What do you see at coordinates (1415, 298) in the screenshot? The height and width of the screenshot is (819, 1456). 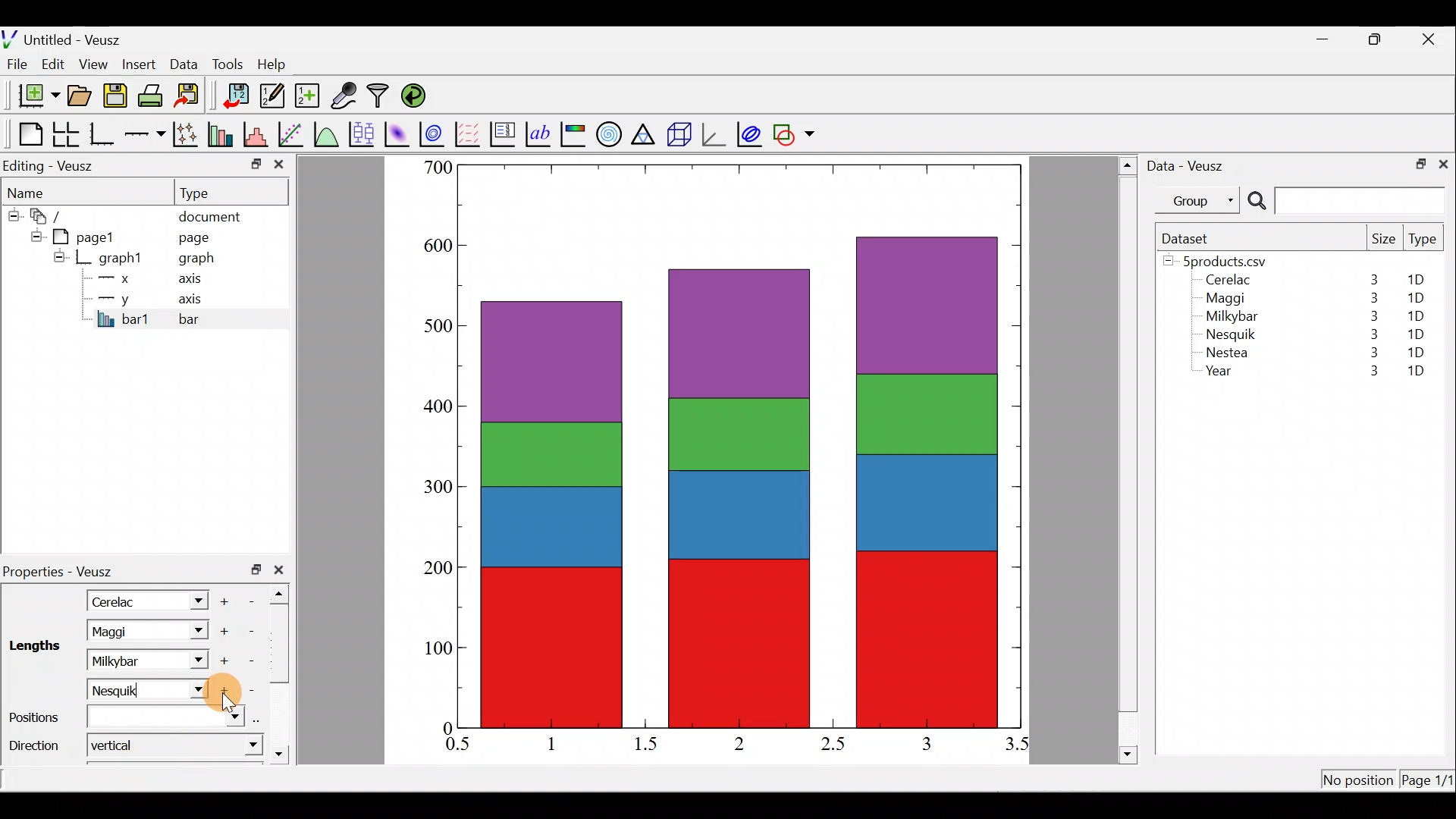 I see `1D` at bounding box center [1415, 298].